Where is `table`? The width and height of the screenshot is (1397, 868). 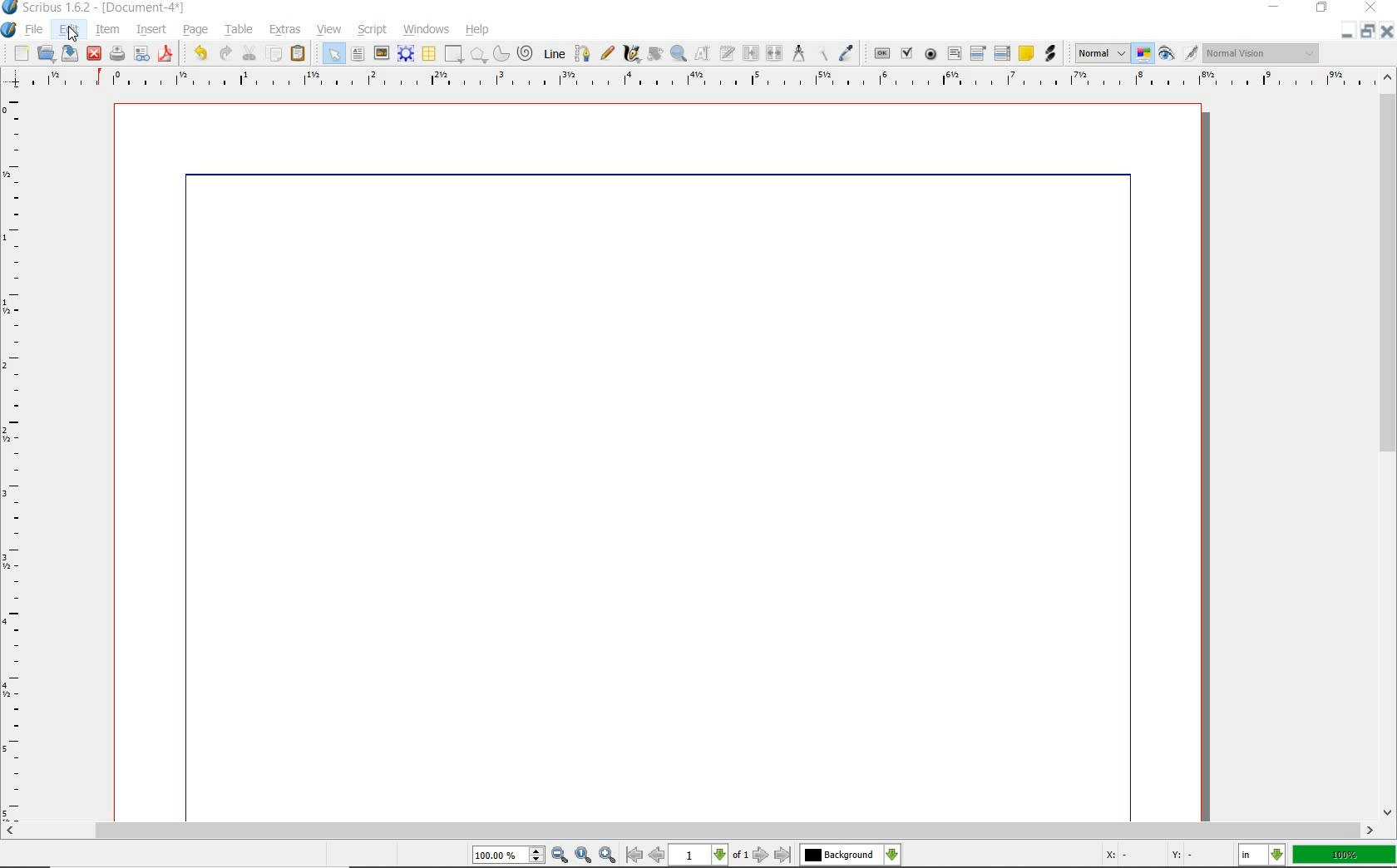
table is located at coordinates (236, 29).